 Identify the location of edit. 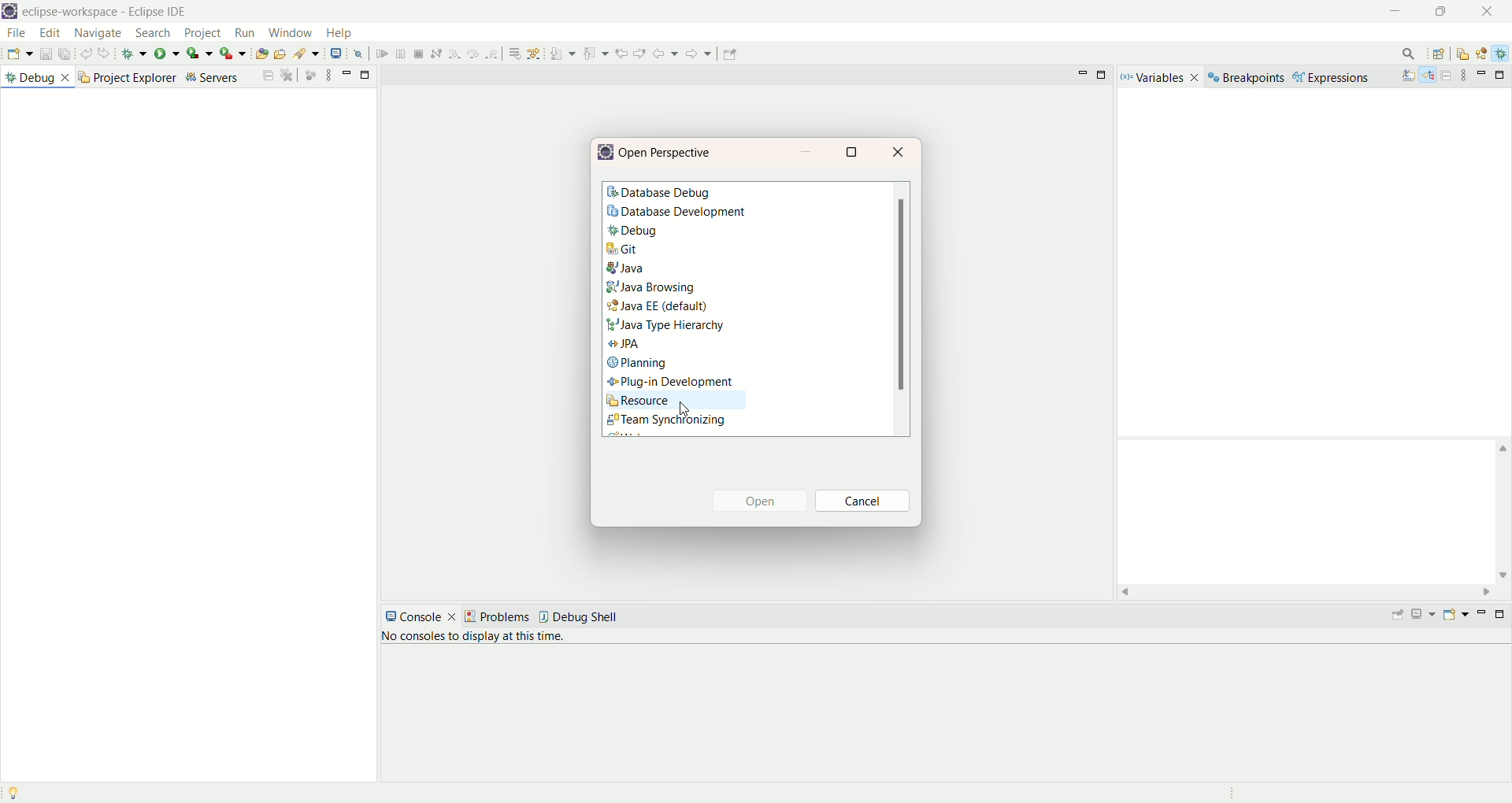
(48, 34).